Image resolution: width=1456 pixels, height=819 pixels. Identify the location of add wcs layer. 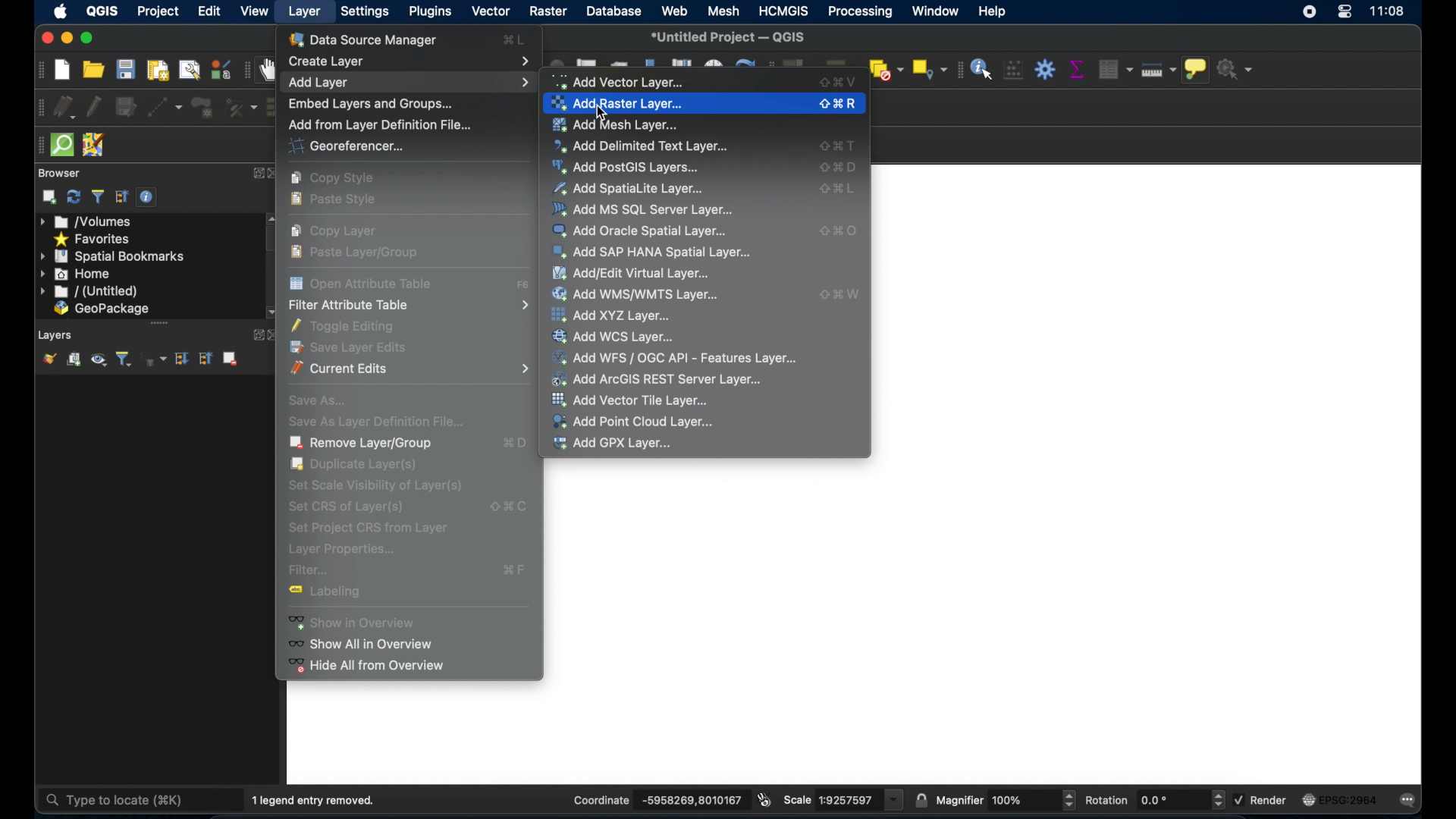
(618, 336).